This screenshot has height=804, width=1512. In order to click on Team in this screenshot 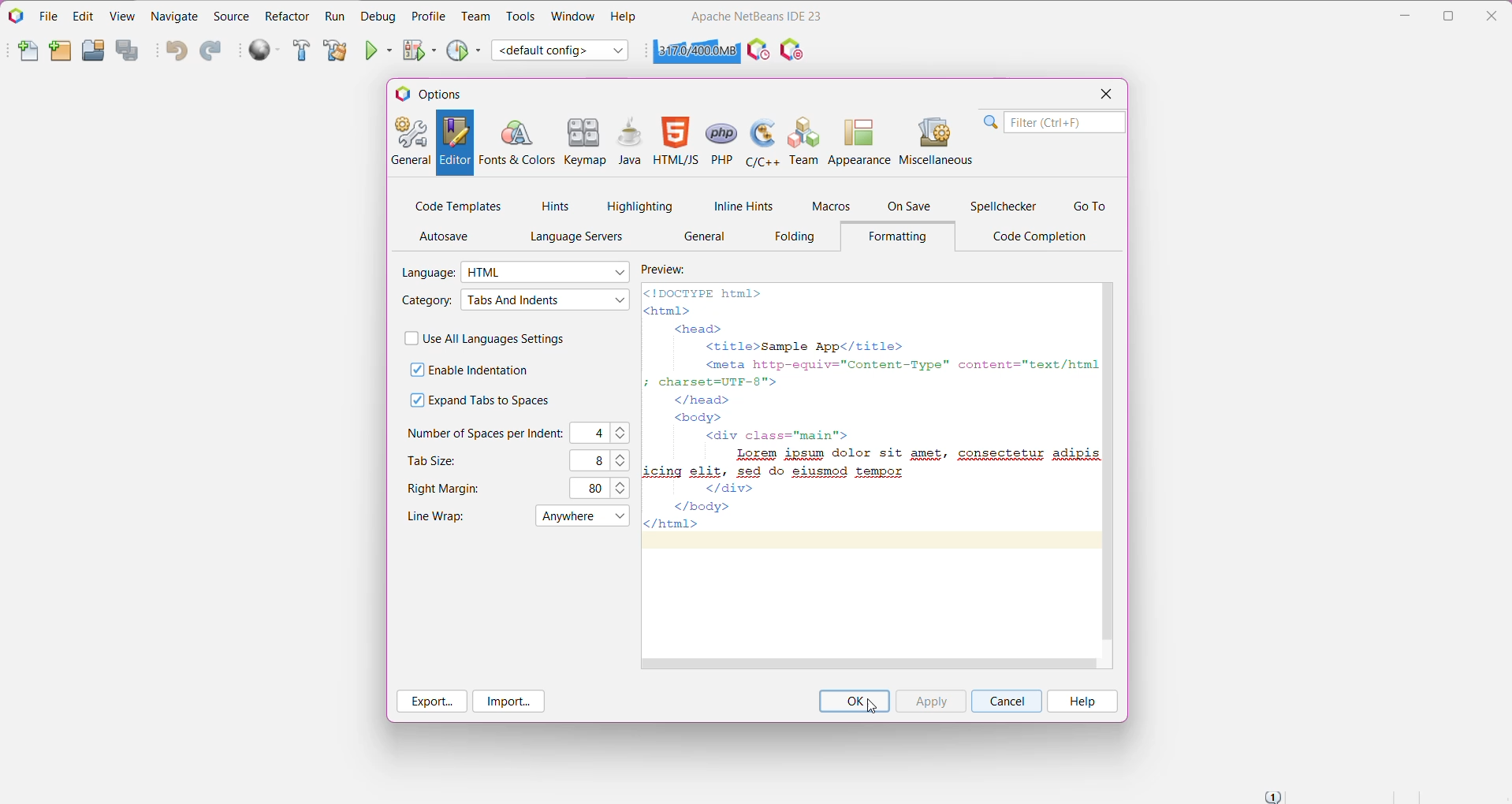, I will do `click(802, 140)`.